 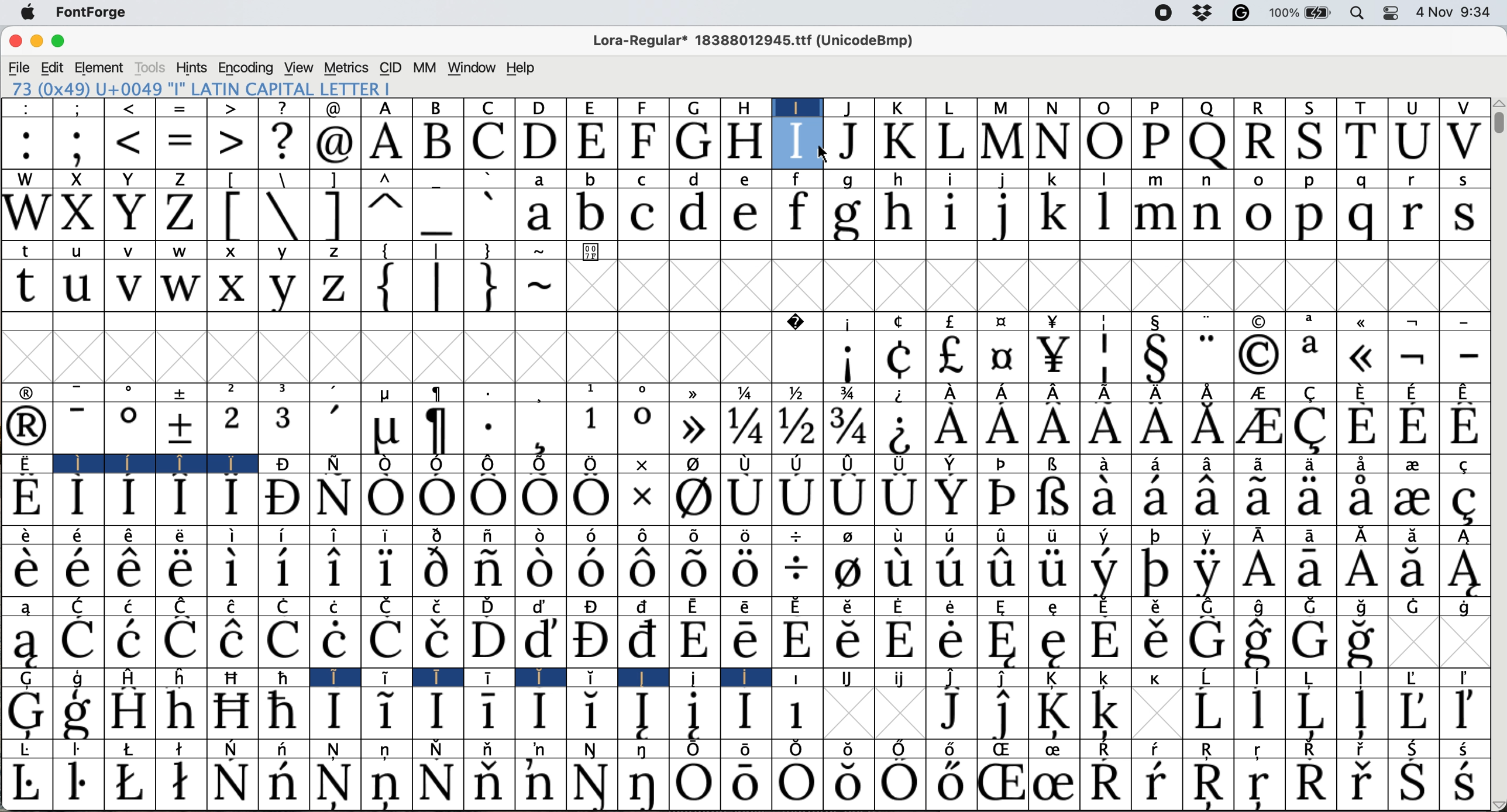 What do you see at coordinates (333, 641) in the screenshot?
I see `Symbol` at bounding box center [333, 641].